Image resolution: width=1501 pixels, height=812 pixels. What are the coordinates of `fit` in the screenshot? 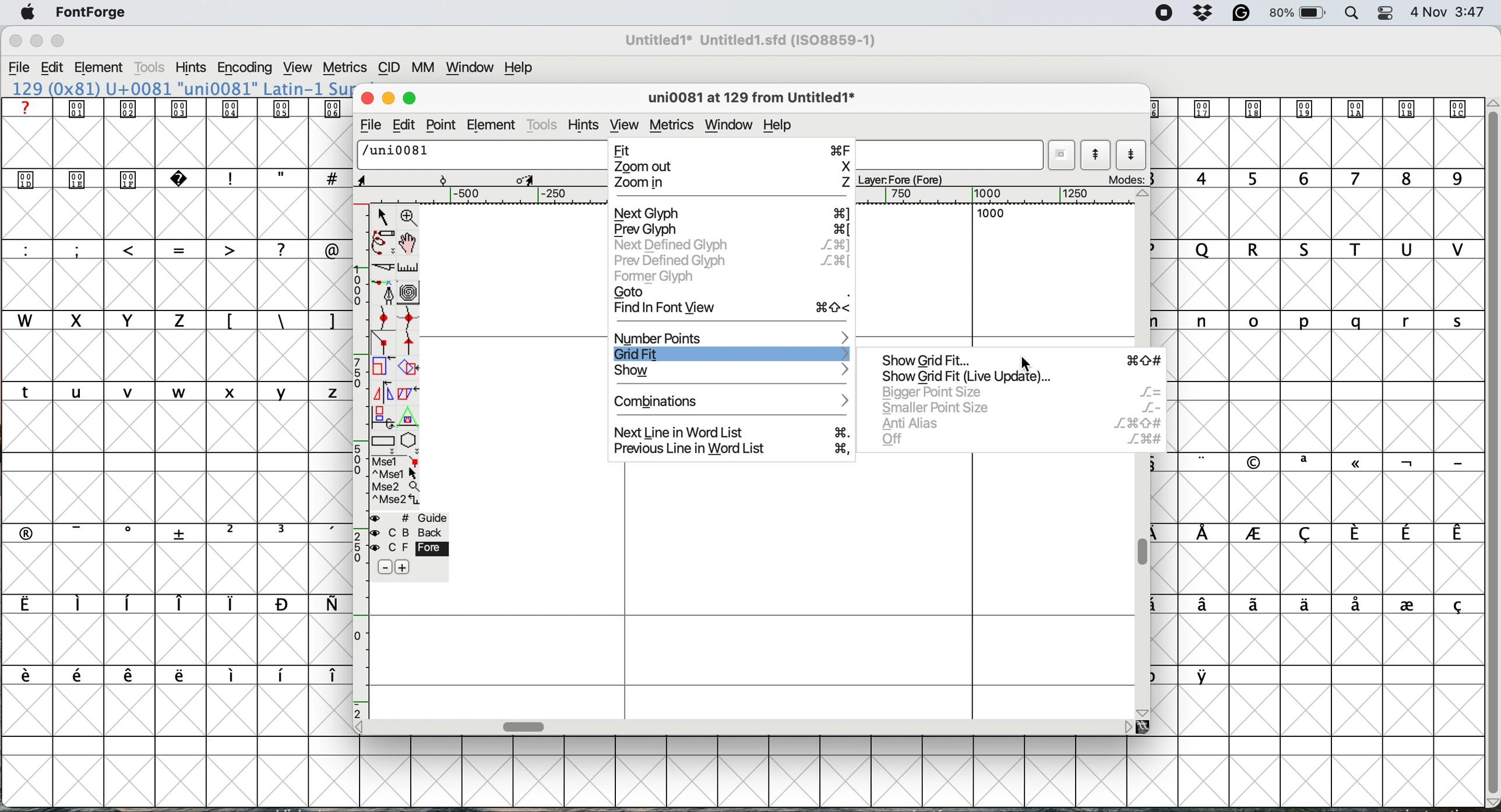 It's located at (732, 149).